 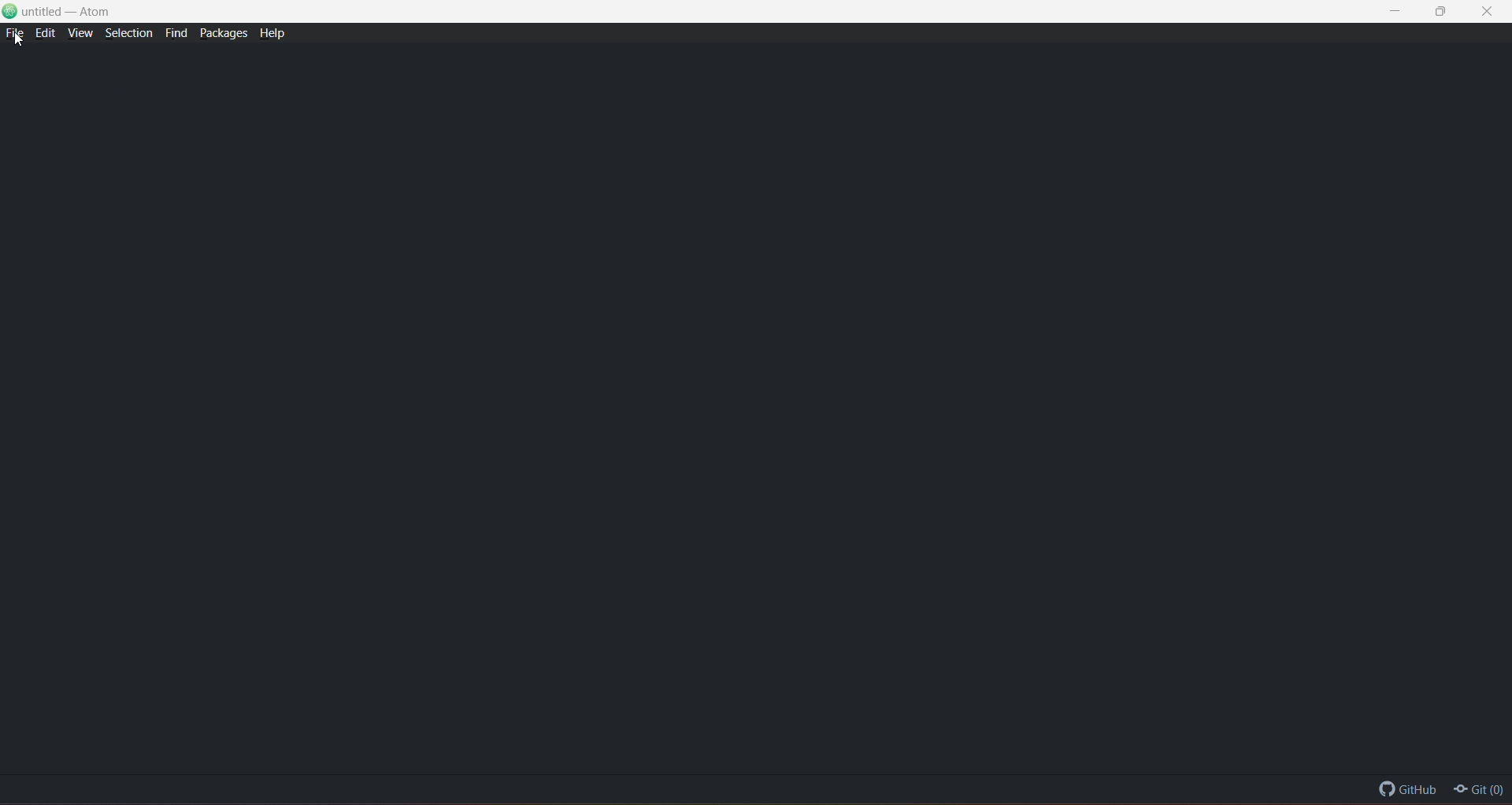 What do you see at coordinates (68, 13) in the screenshot?
I see `untitled - Atom` at bounding box center [68, 13].